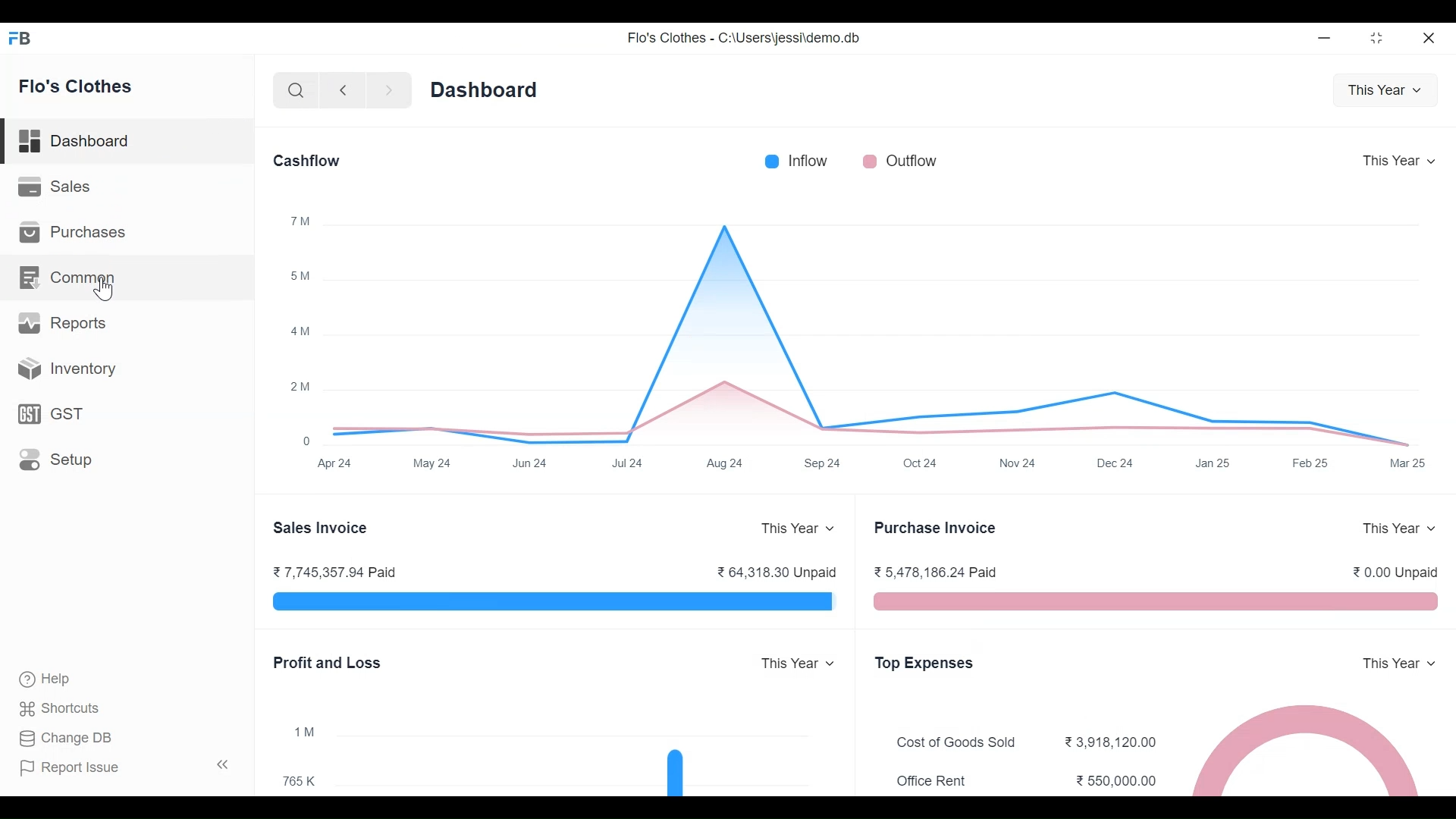 The height and width of the screenshot is (819, 1456). I want to click on Common, so click(70, 277).